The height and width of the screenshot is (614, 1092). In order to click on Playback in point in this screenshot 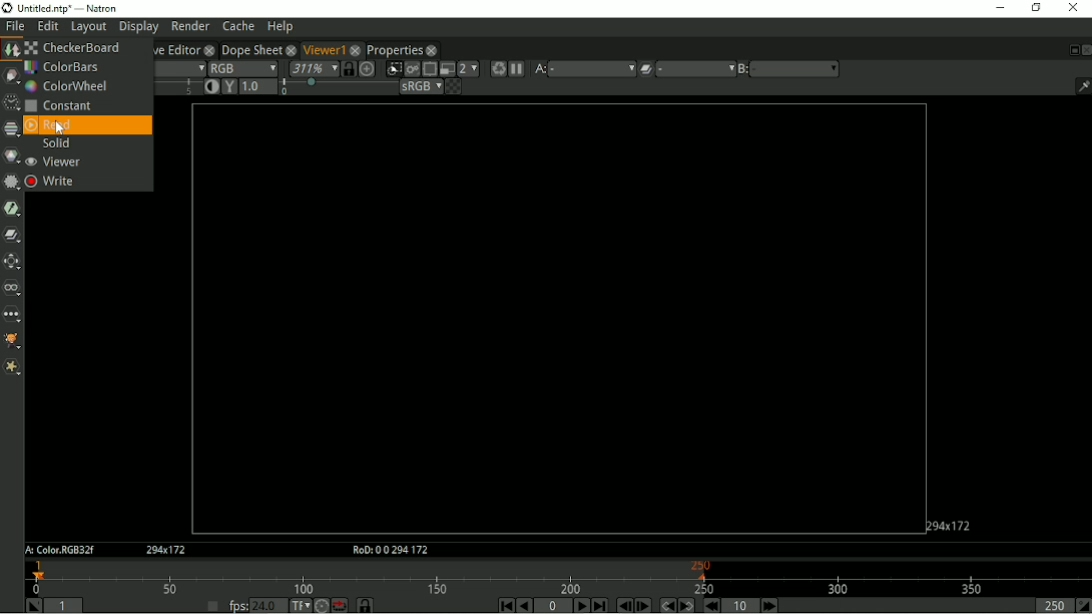, I will do `click(66, 605)`.